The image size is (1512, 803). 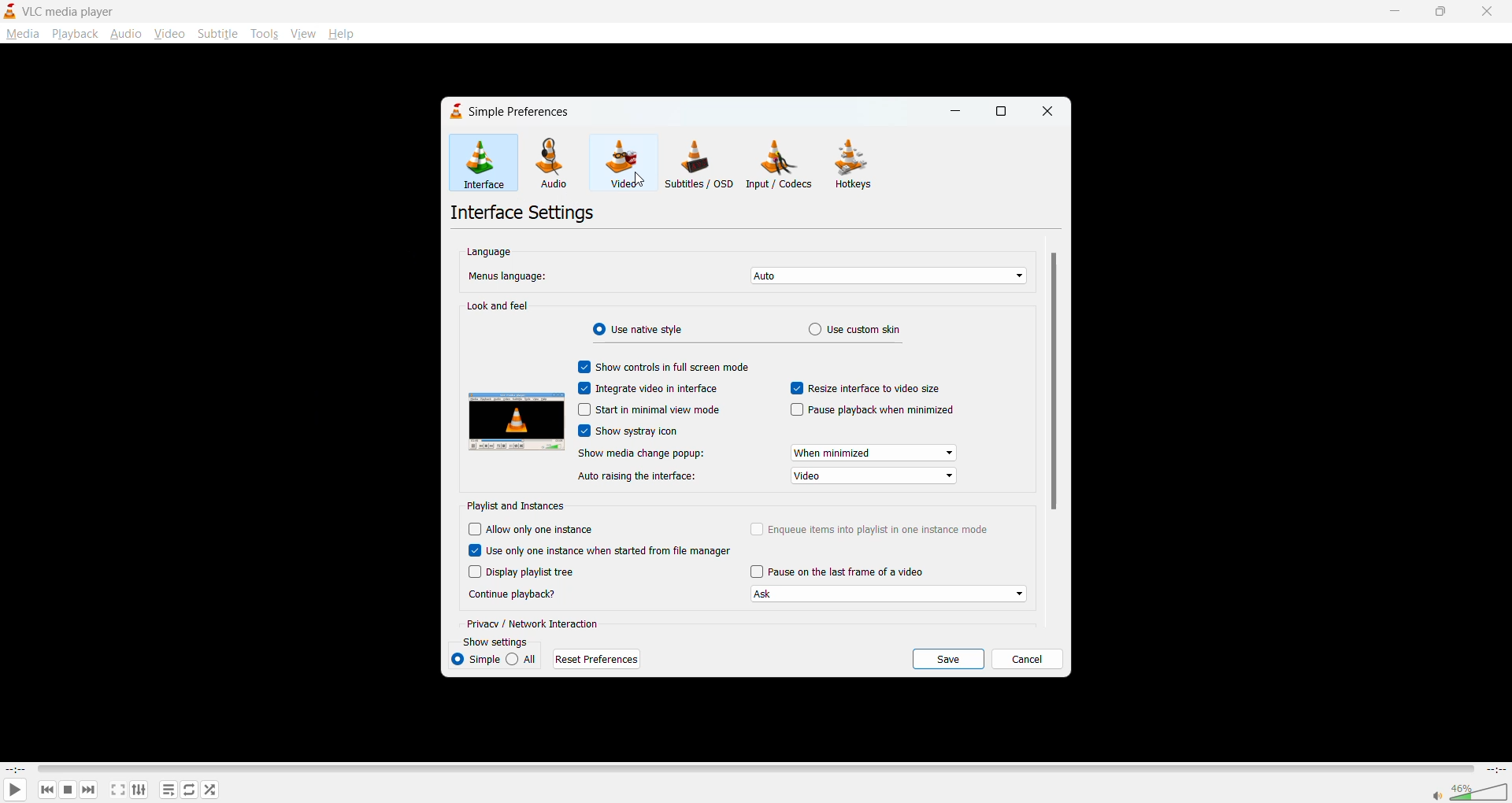 What do you see at coordinates (1495, 769) in the screenshot?
I see `total track time` at bounding box center [1495, 769].